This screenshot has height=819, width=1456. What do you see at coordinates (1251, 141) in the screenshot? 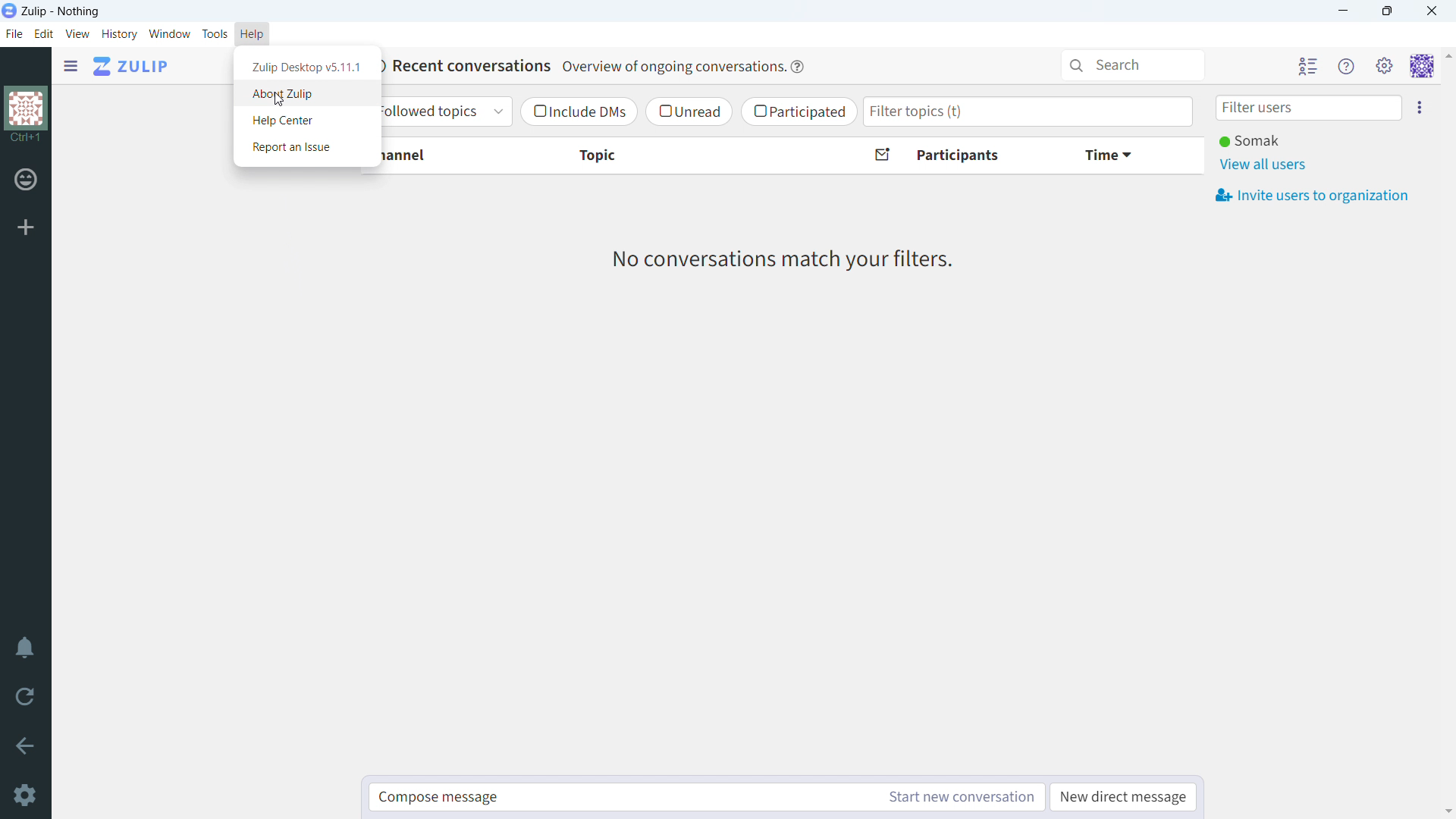
I see `Somak(user status)` at bounding box center [1251, 141].